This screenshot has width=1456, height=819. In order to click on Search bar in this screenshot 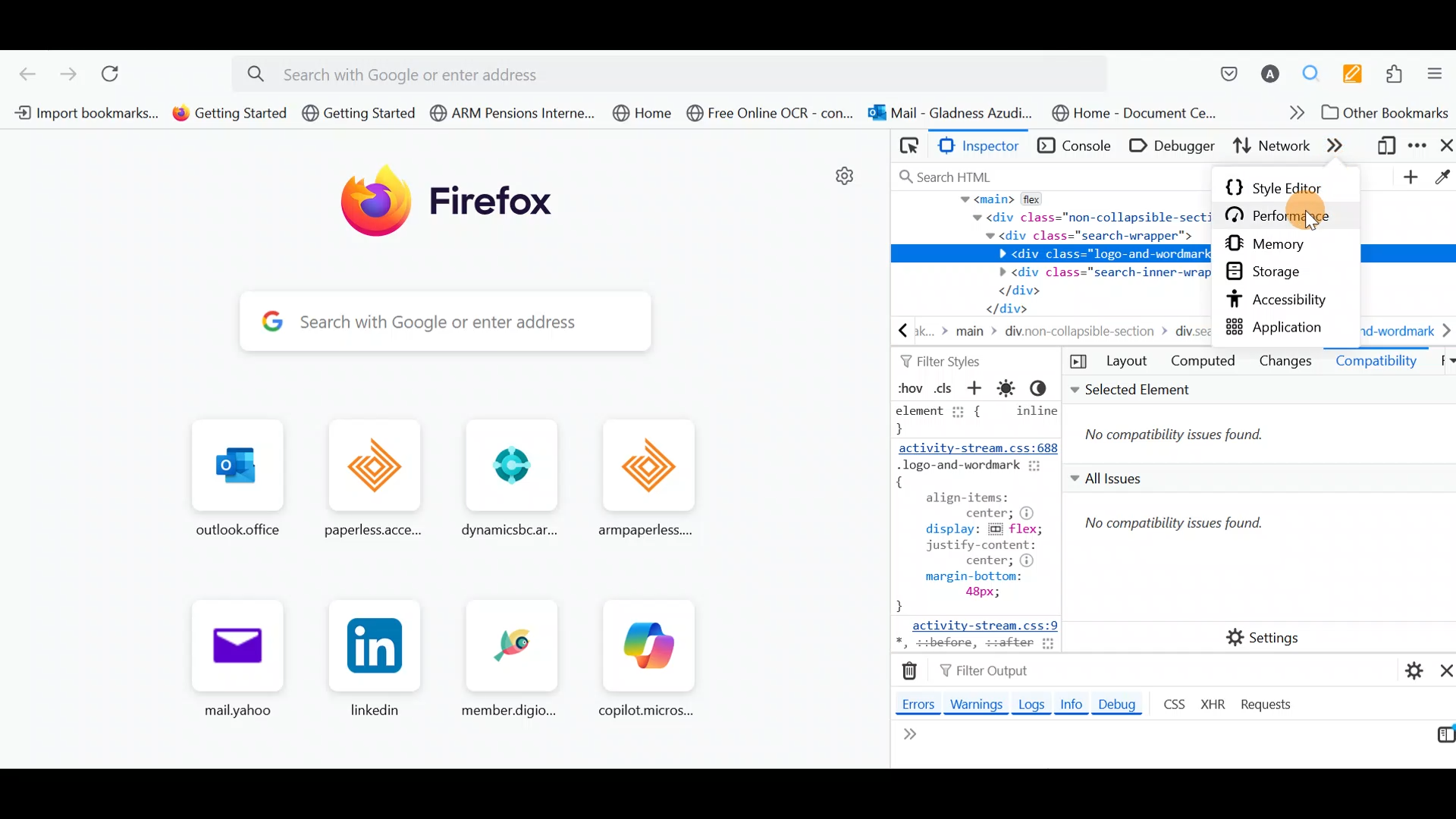, I will do `click(403, 322)`.